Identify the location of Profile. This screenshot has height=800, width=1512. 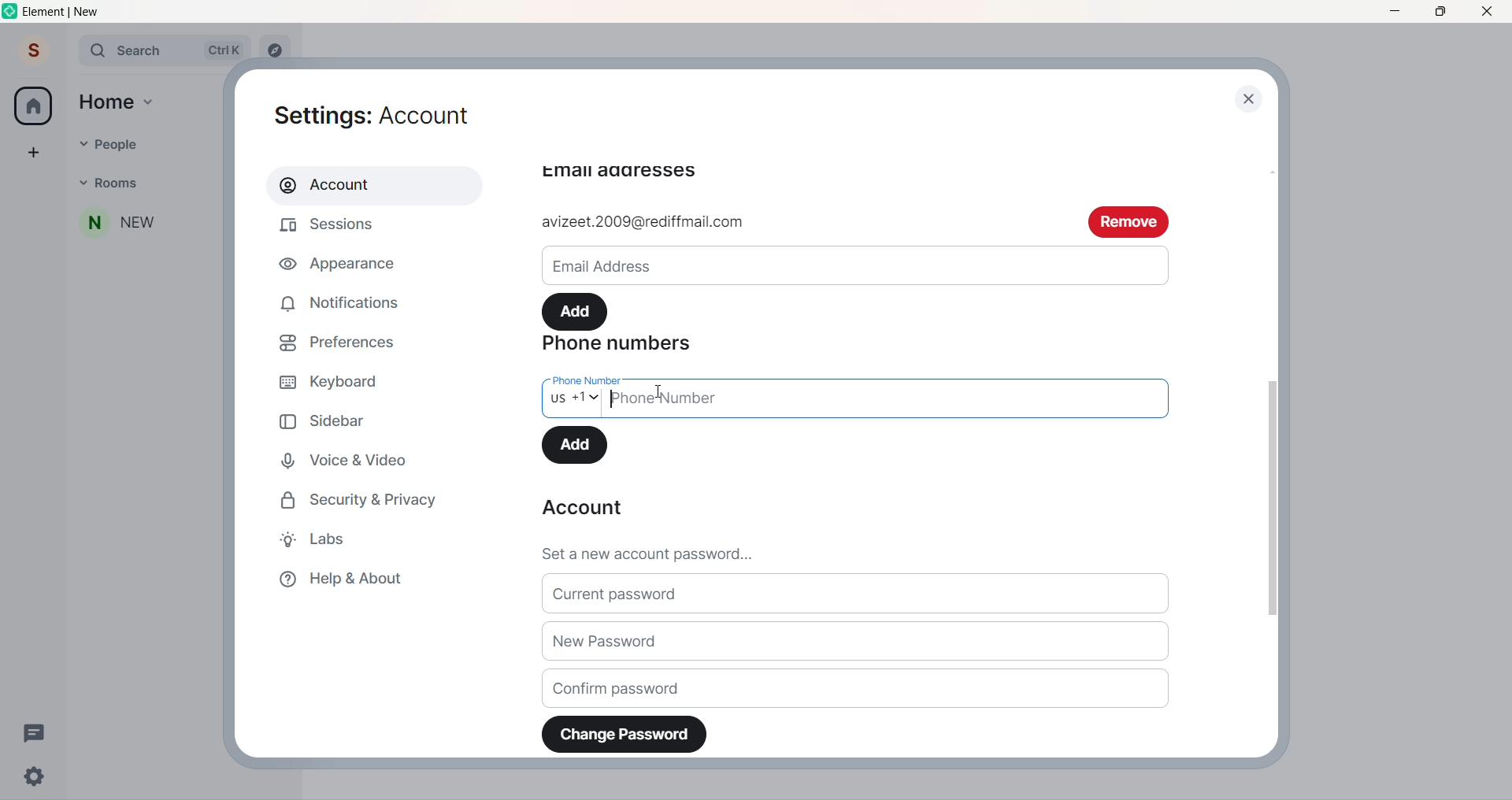
(31, 52).